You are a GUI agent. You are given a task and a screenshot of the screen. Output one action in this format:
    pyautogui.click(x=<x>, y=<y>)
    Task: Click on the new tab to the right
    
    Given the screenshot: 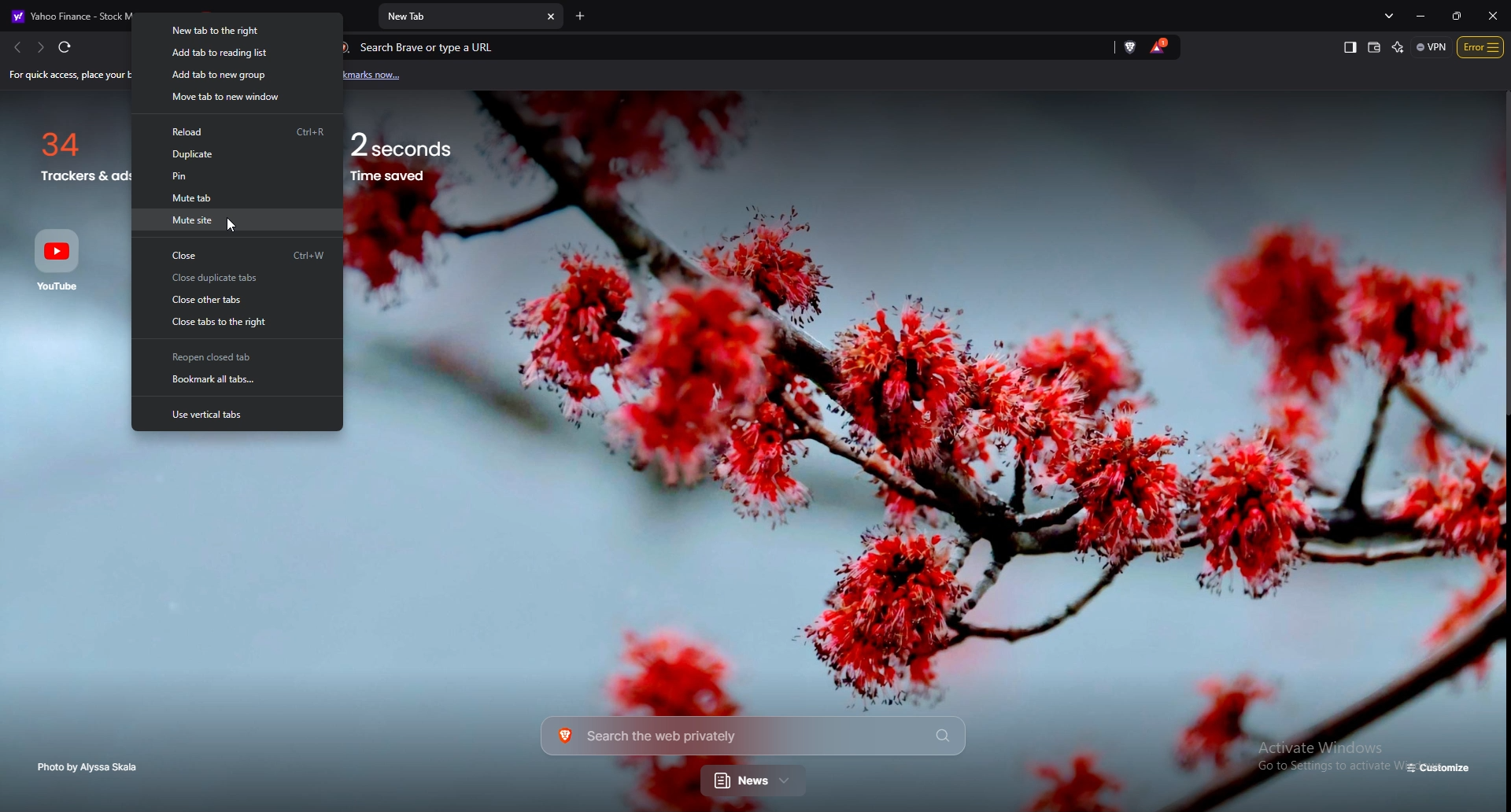 What is the action you would take?
    pyautogui.click(x=237, y=33)
    